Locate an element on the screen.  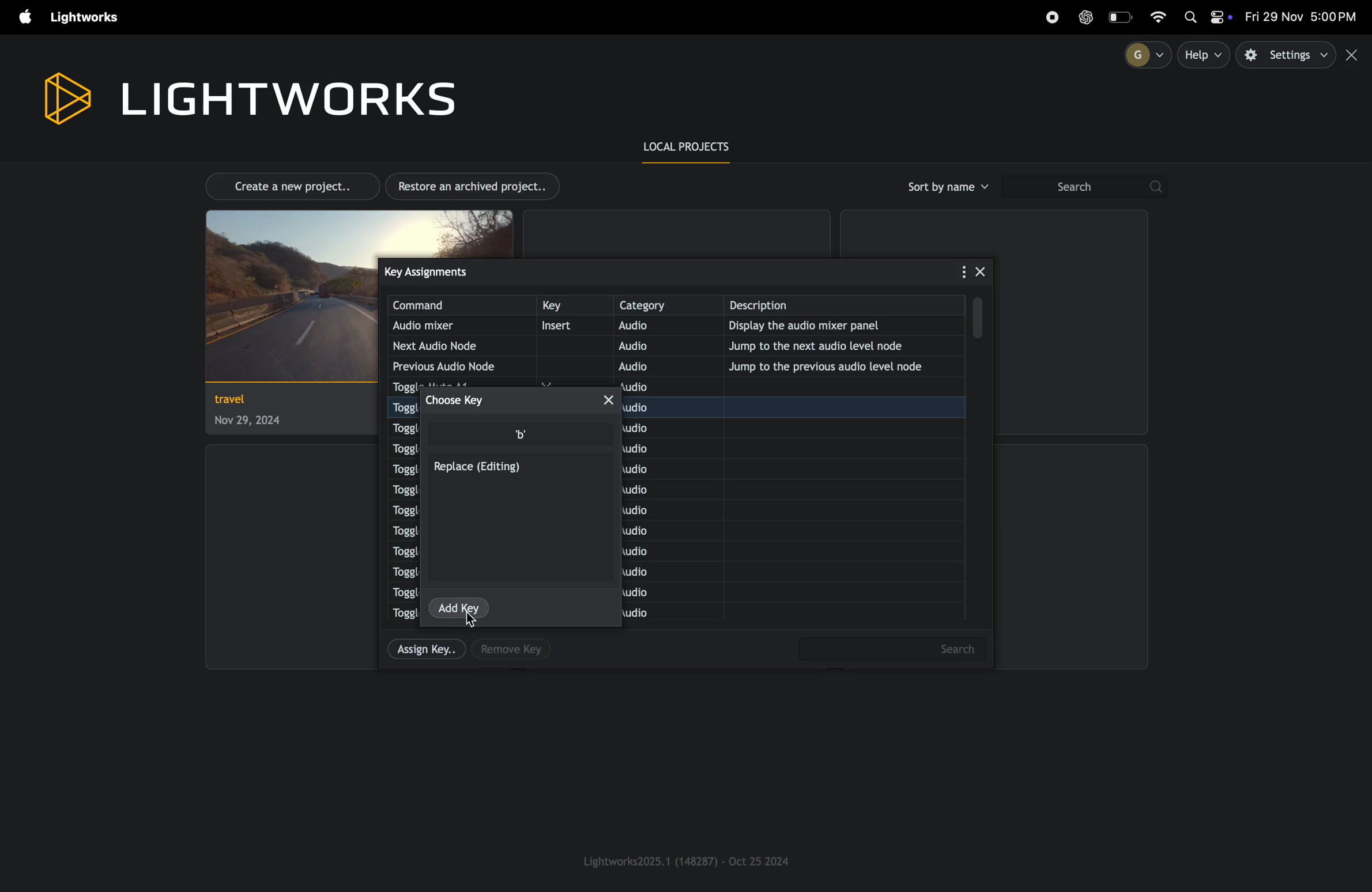
chatgpt is located at coordinates (1086, 17).